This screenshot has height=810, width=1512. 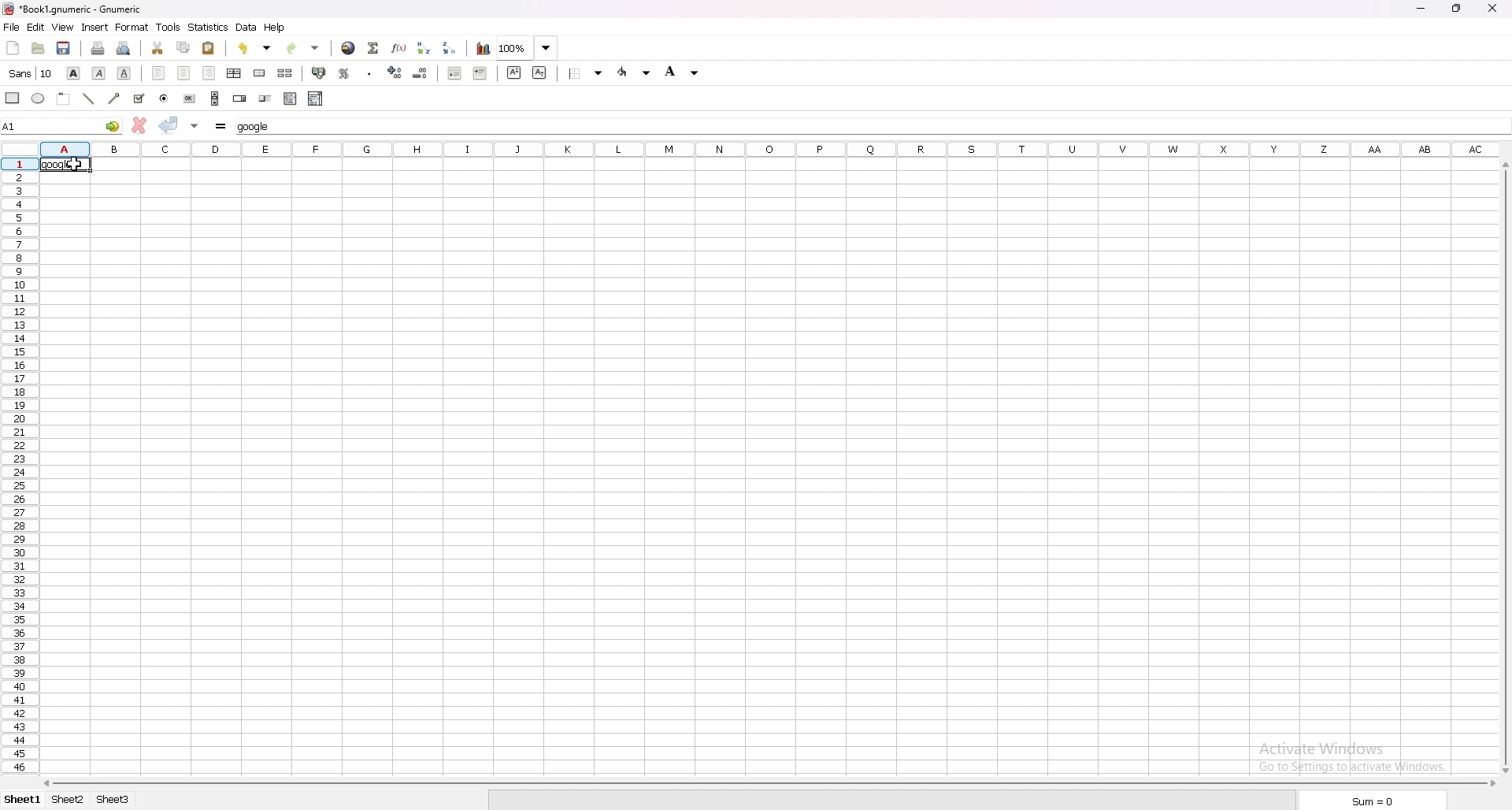 I want to click on percentage, so click(x=344, y=73).